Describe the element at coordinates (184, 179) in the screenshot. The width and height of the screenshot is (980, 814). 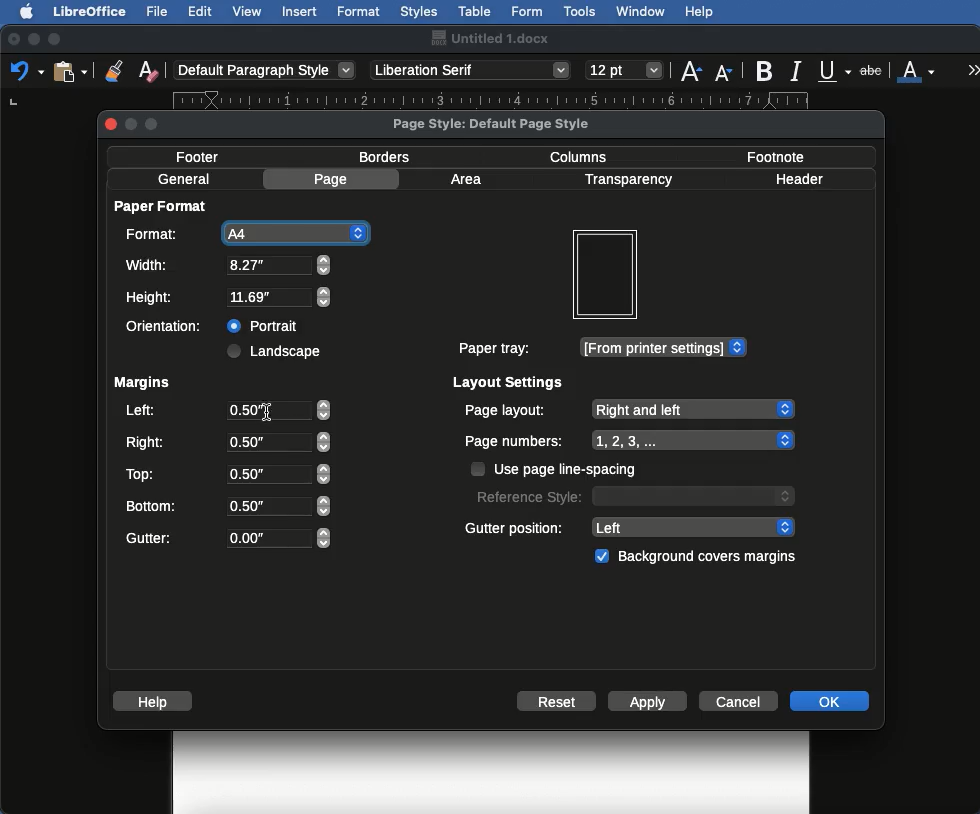
I see `General` at that location.